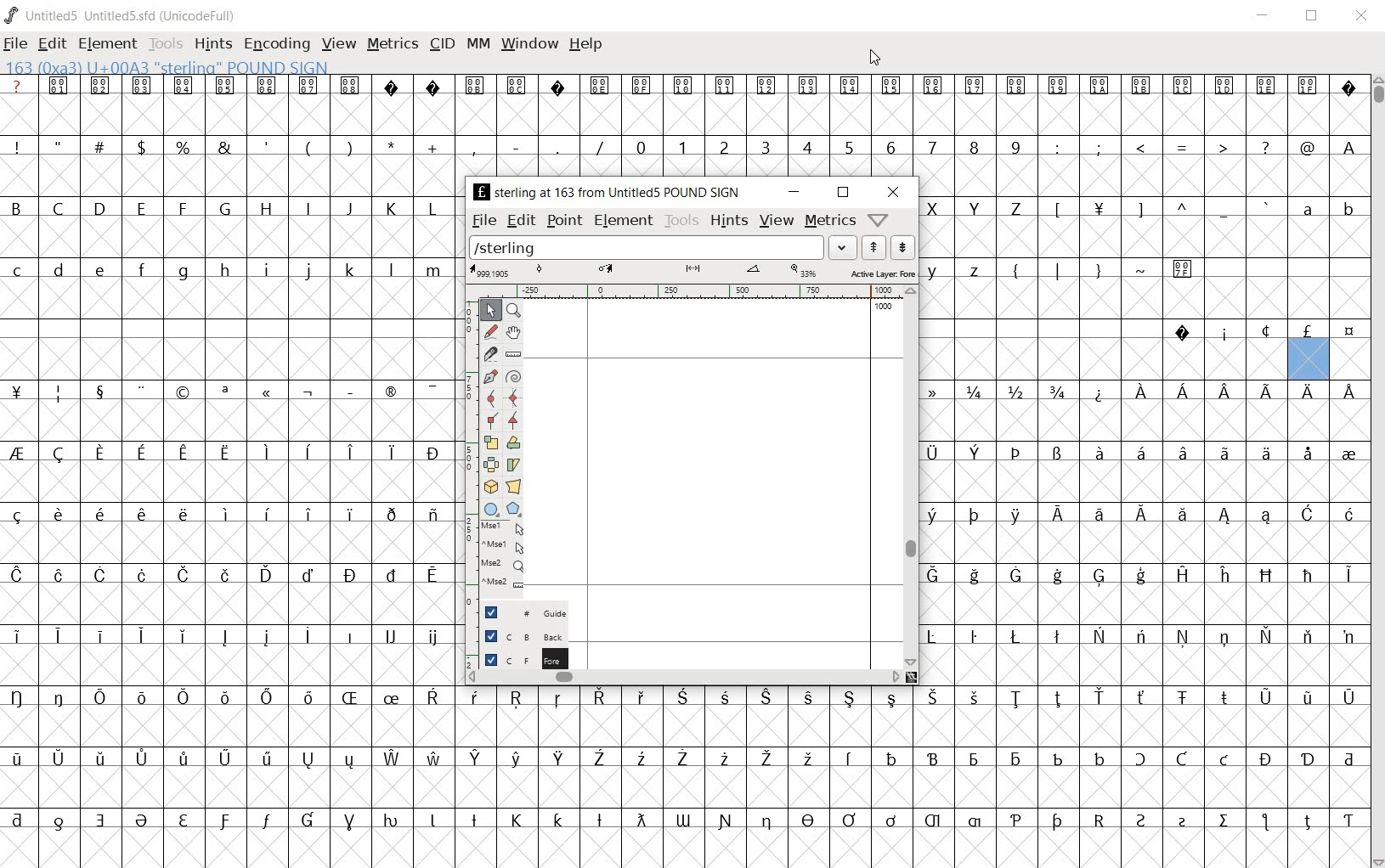 The width and height of the screenshot is (1385, 868). Describe the element at coordinates (491, 379) in the screenshot. I see `Pen` at that location.